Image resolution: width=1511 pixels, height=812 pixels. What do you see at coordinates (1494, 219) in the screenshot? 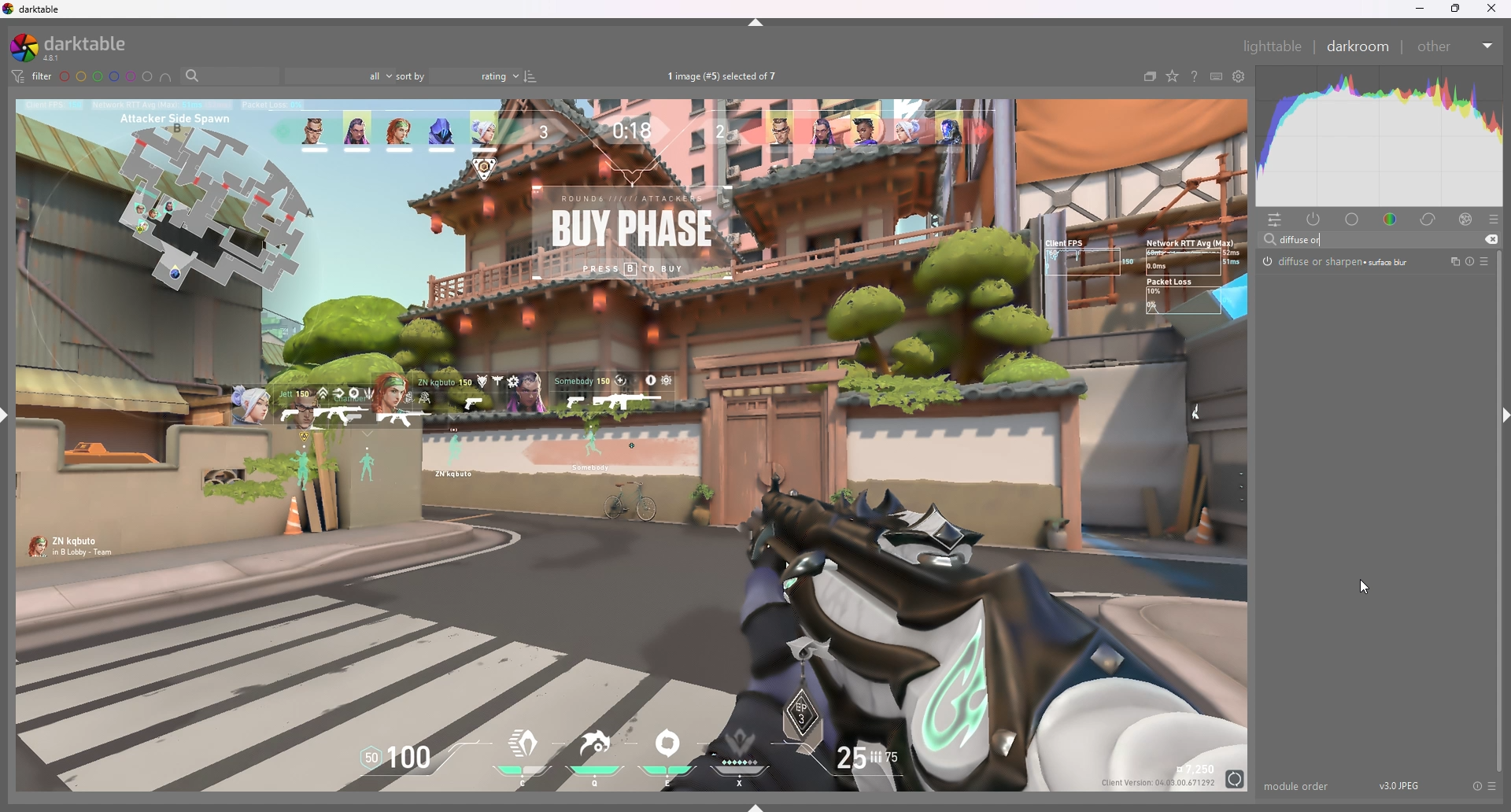
I see `presets` at bounding box center [1494, 219].